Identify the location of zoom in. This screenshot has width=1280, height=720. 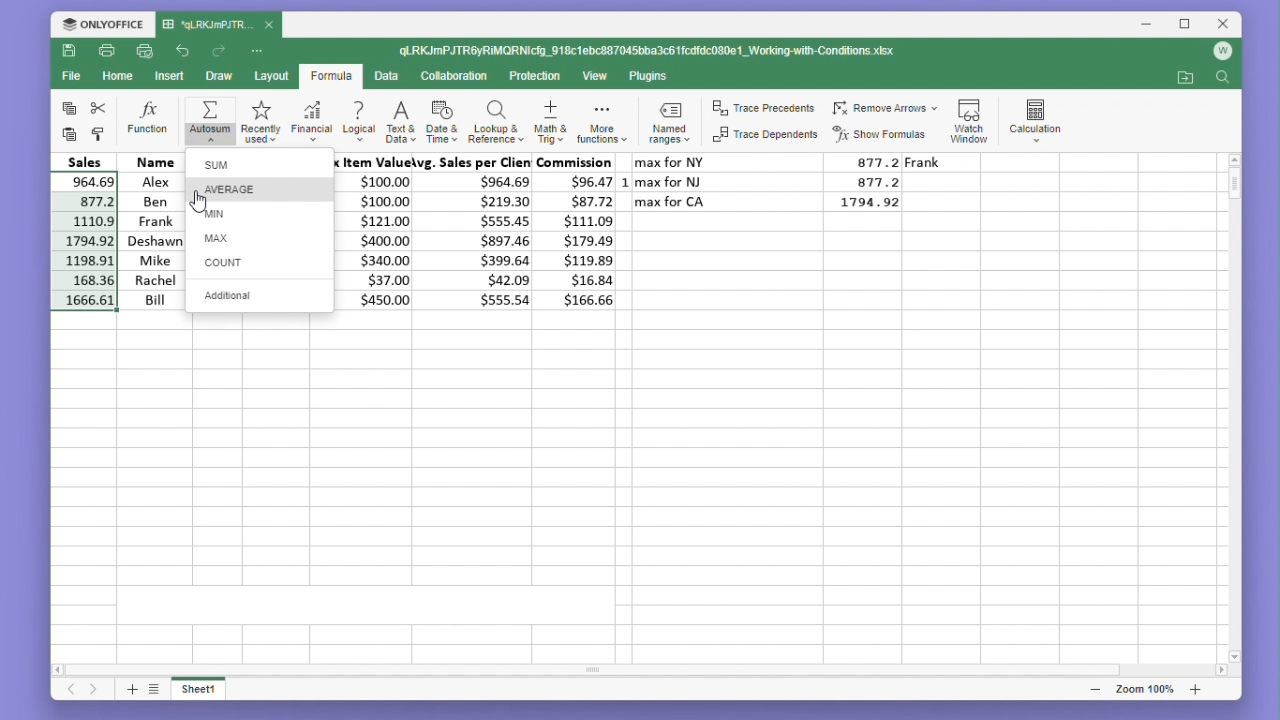
(1195, 689).